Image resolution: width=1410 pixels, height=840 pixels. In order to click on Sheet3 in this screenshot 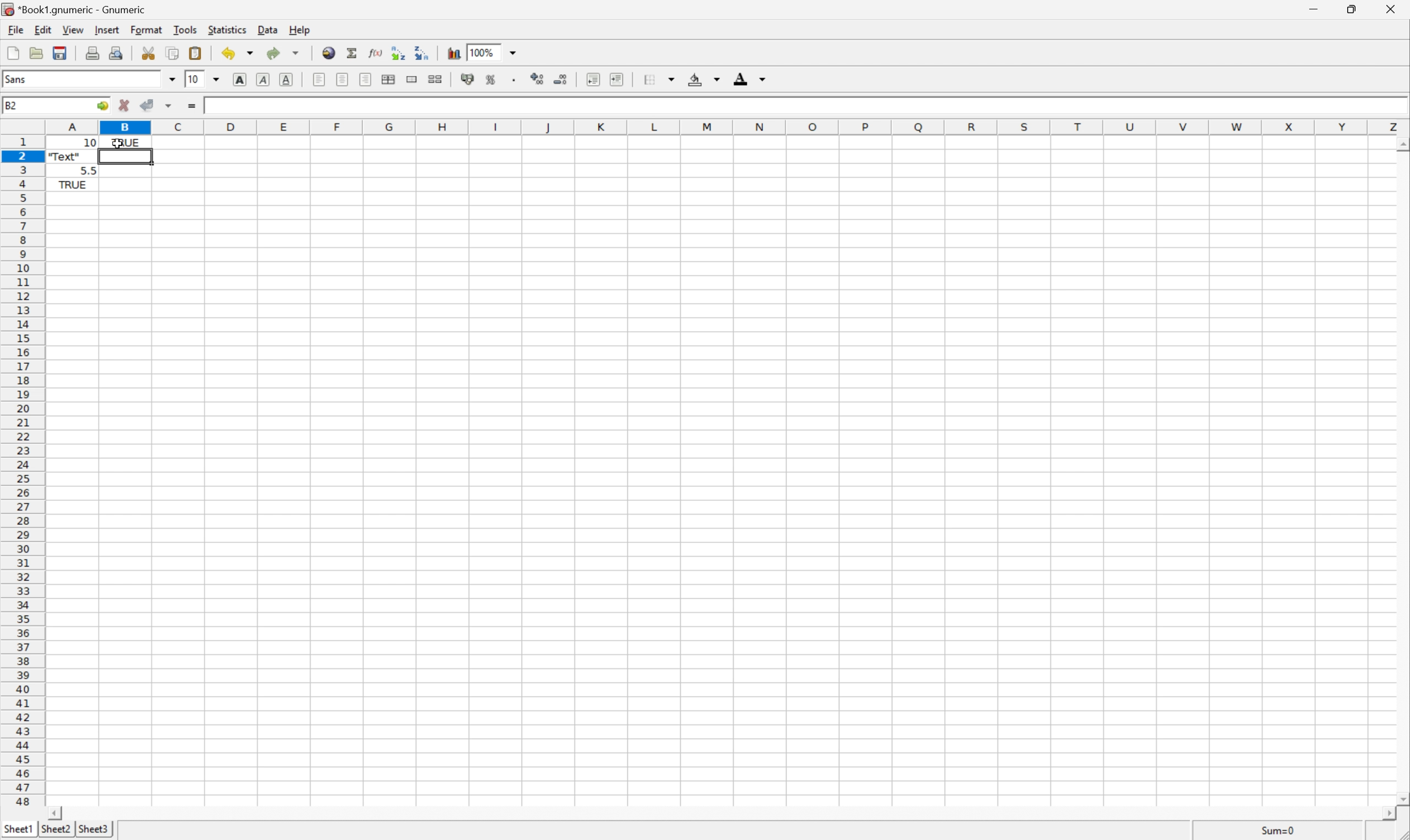, I will do `click(93, 829)`.